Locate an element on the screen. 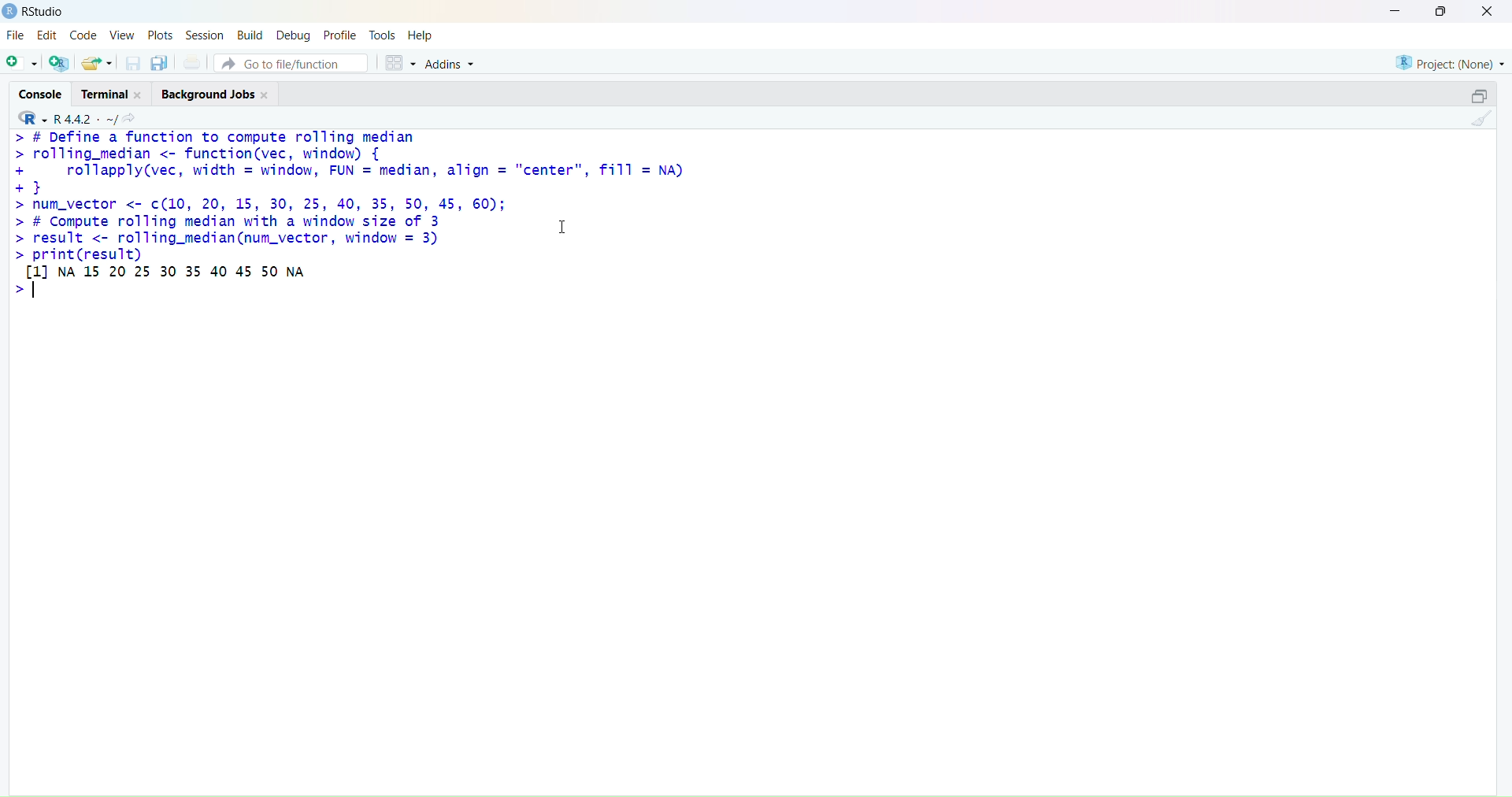  go to file/function is located at coordinates (293, 64).